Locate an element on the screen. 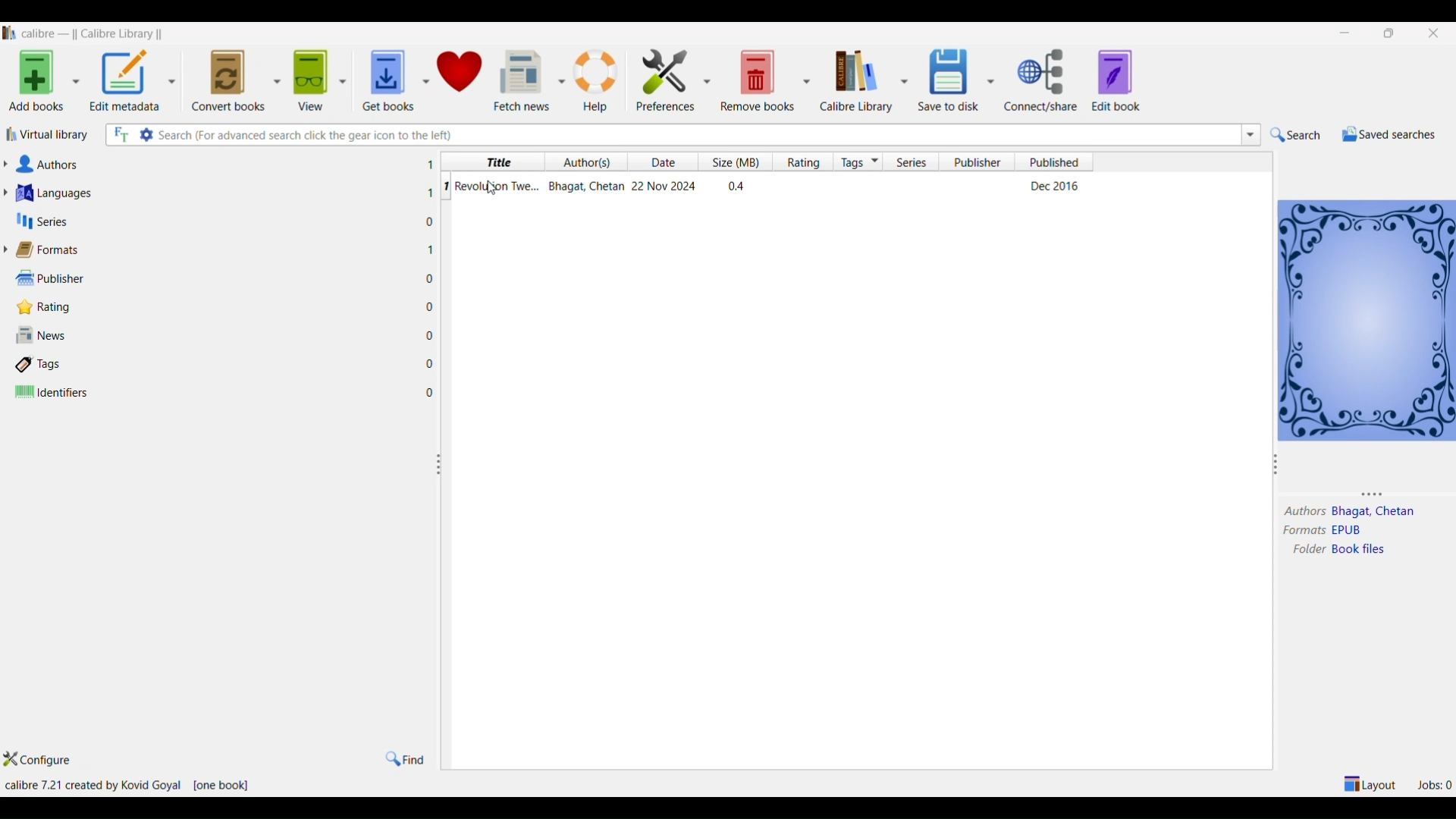 Image resolution: width=1456 pixels, height=819 pixels. configure is located at coordinates (46, 761).